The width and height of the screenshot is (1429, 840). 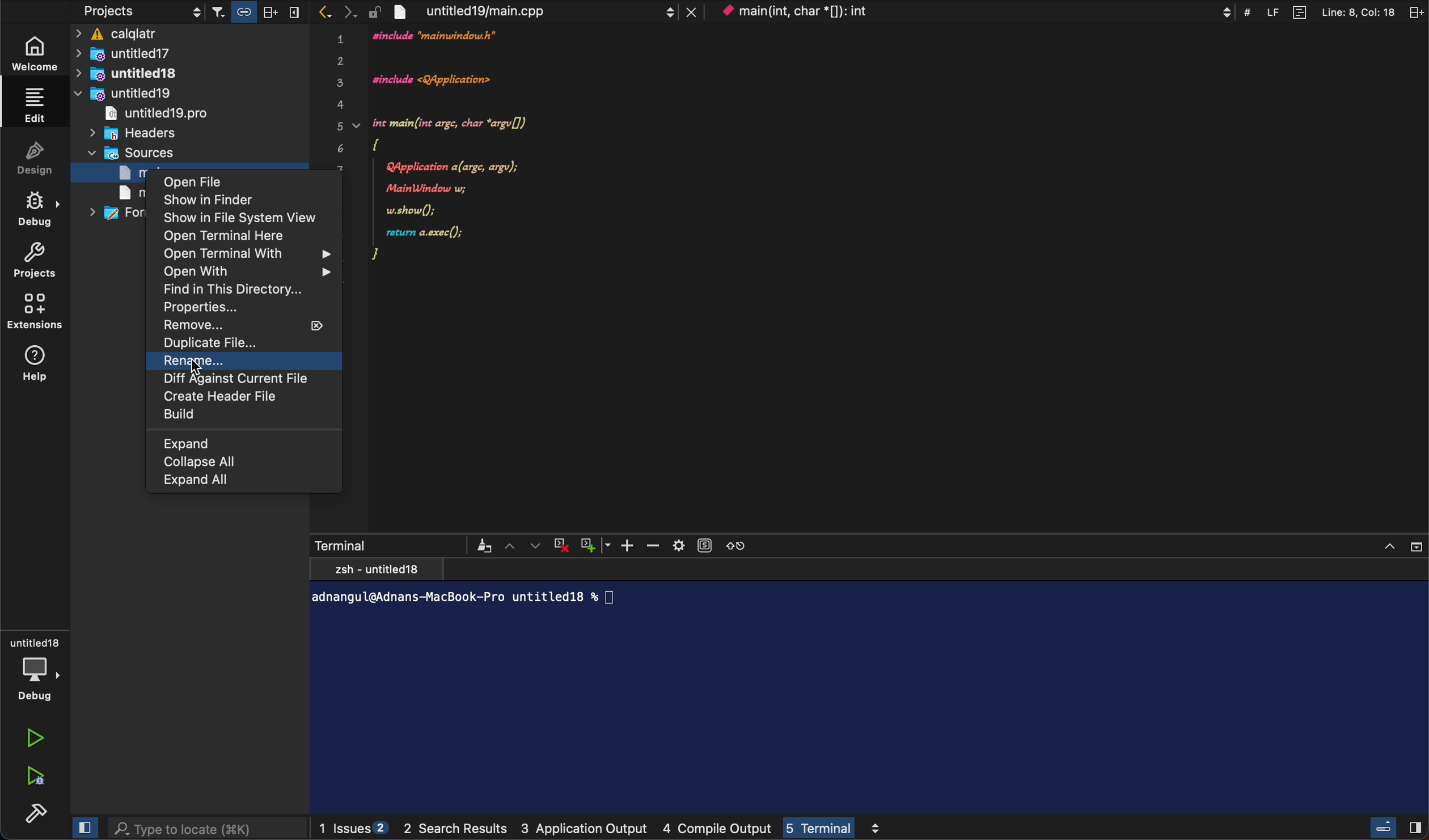 I want to click on file tab, so click(x=543, y=11).